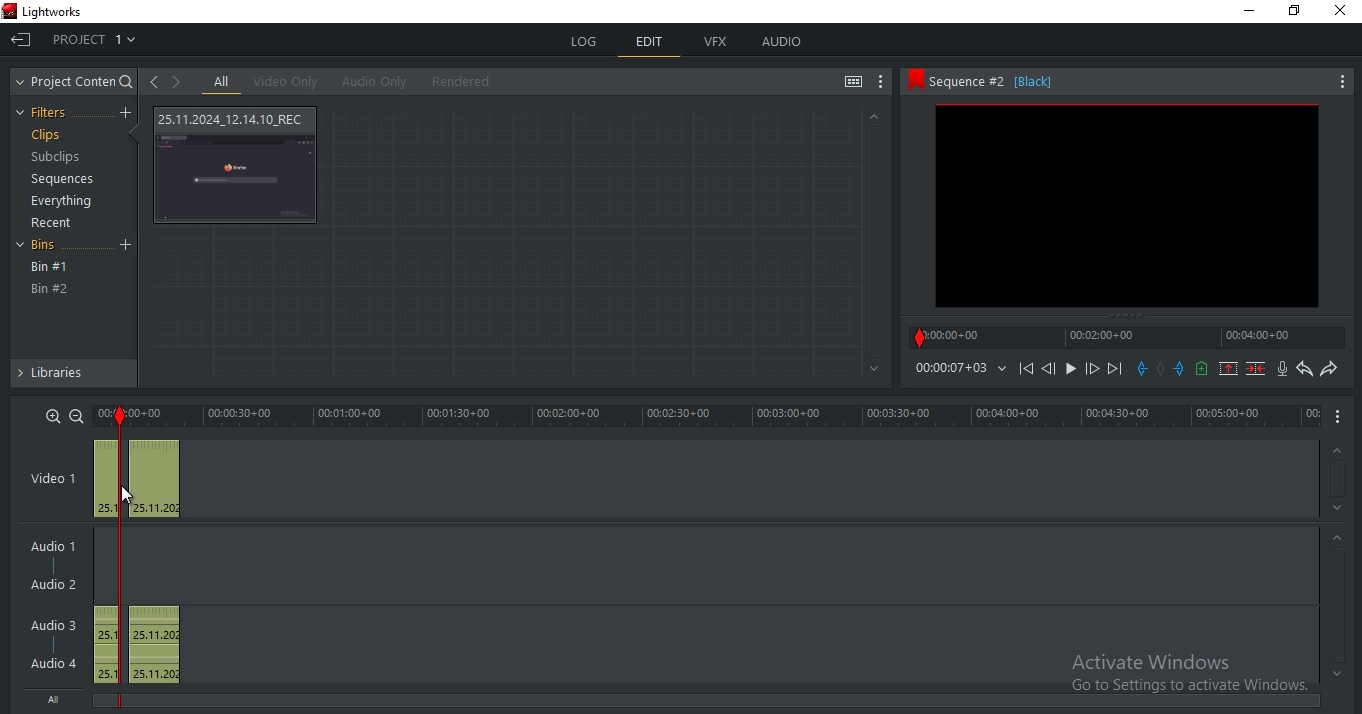  I want to click on Forward, so click(1093, 369).